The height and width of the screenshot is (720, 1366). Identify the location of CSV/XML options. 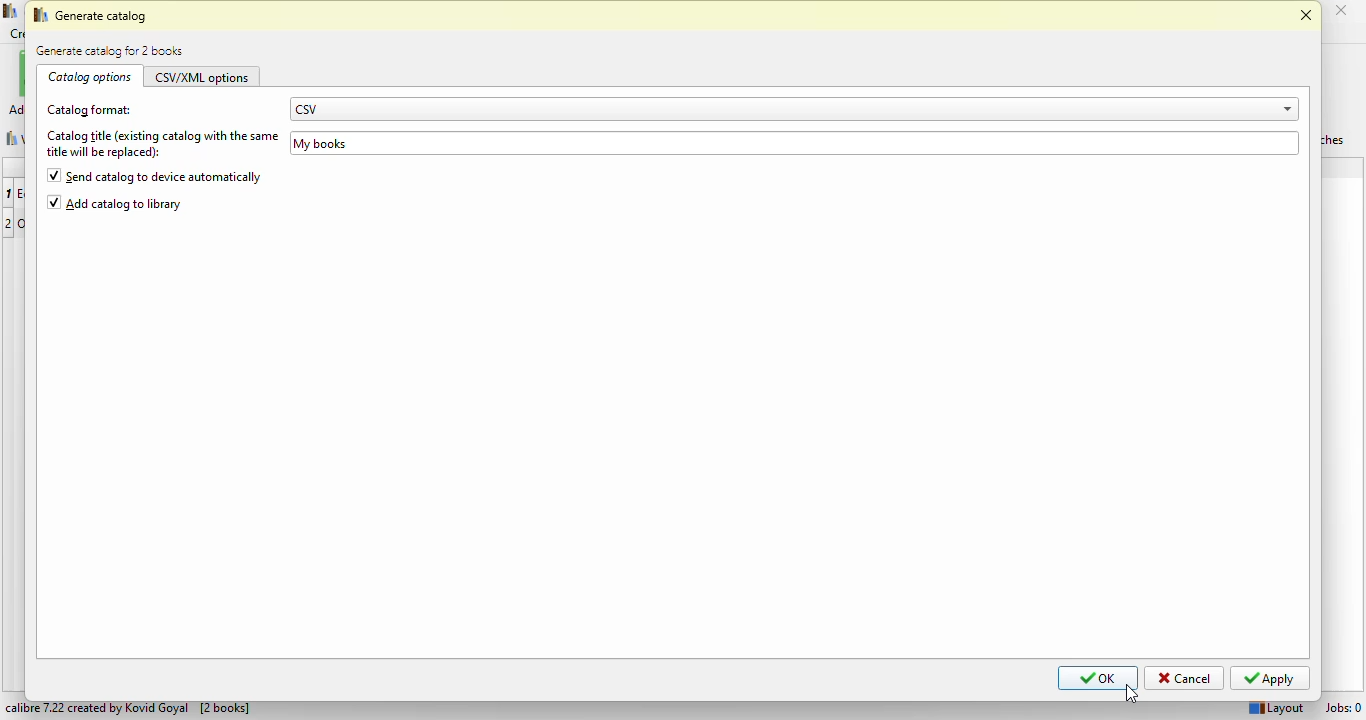
(202, 77).